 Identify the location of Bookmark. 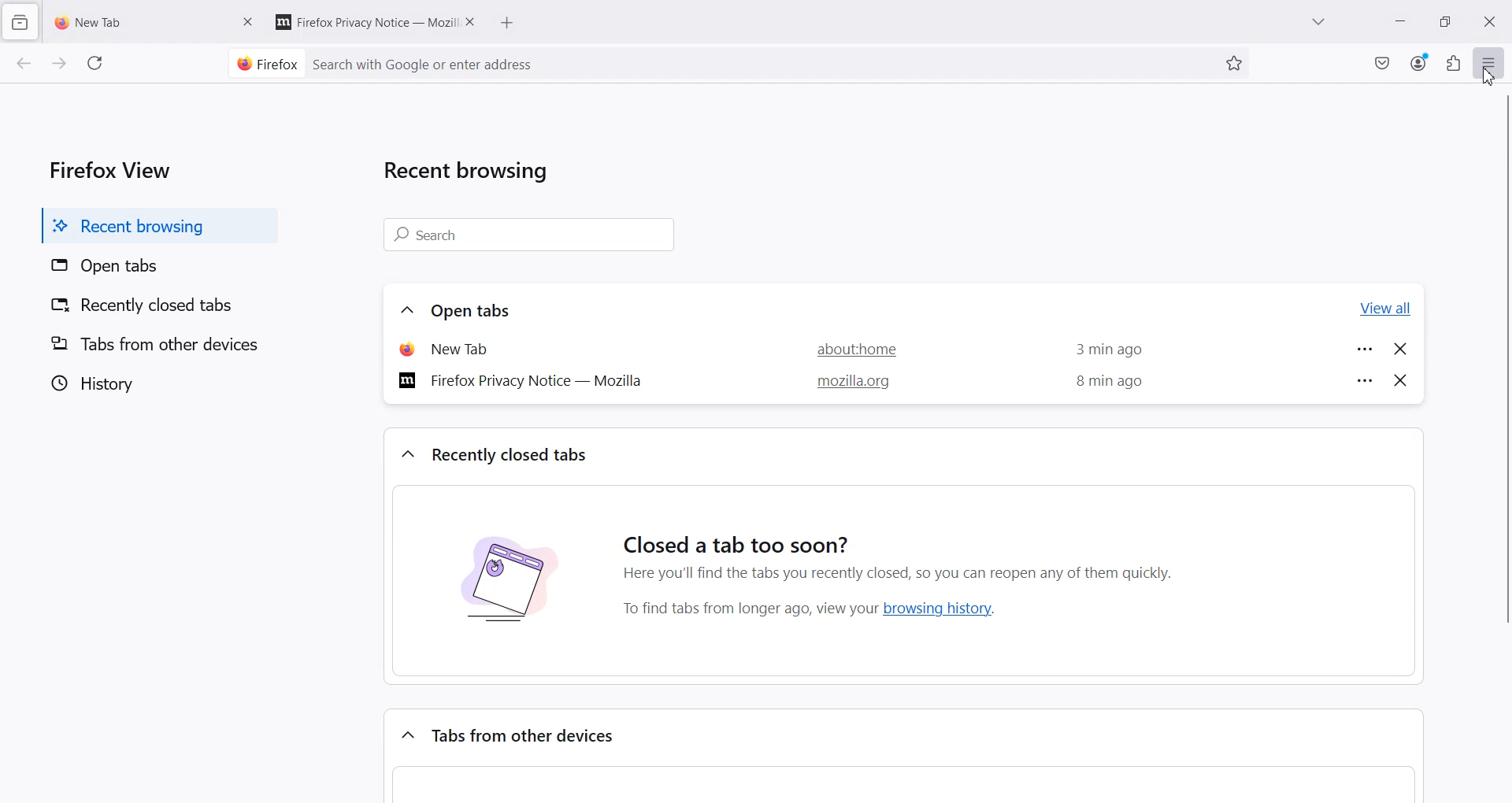
(1234, 63).